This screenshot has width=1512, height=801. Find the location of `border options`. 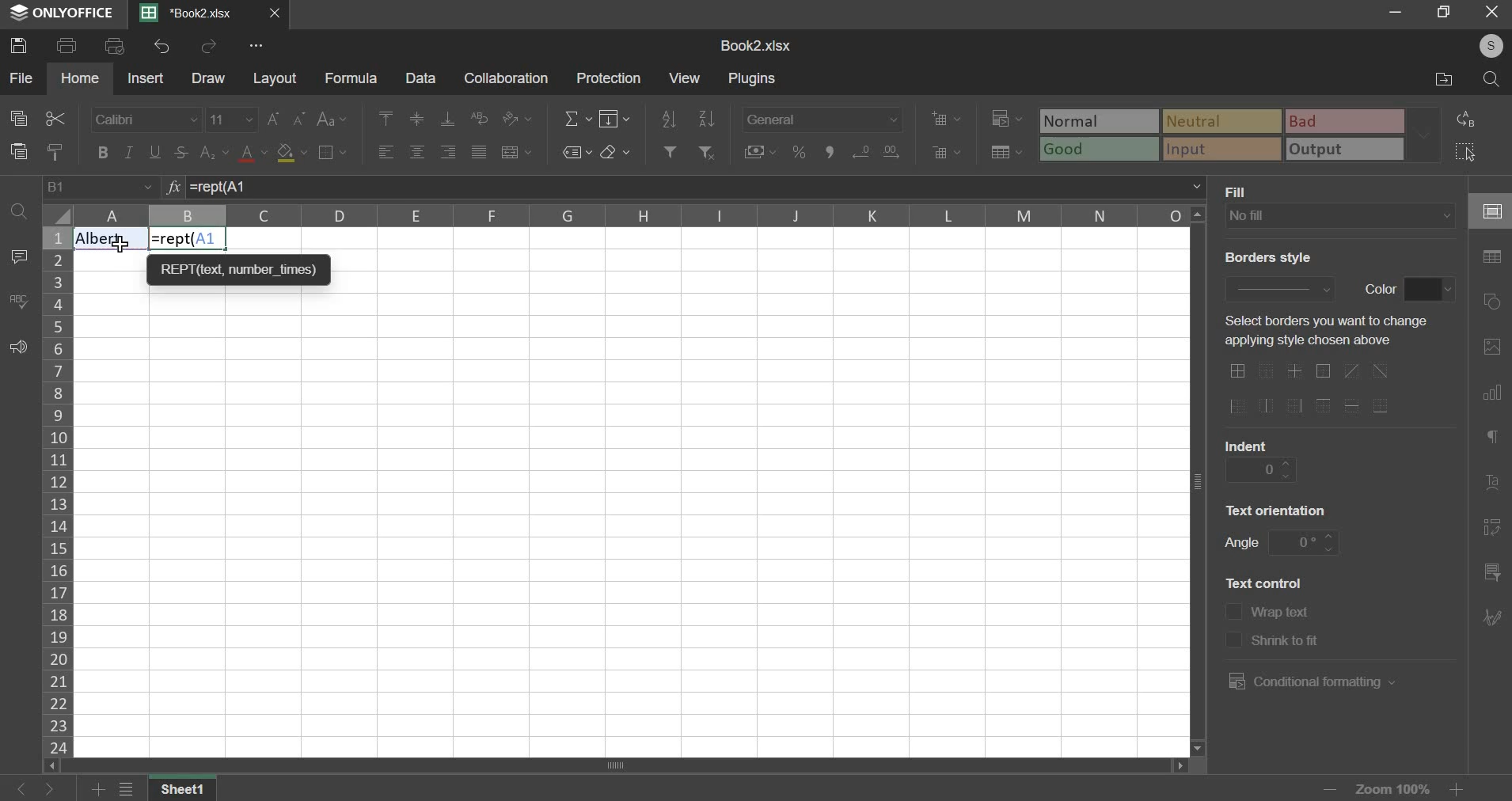

border options is located at coordinates (1313, 390).